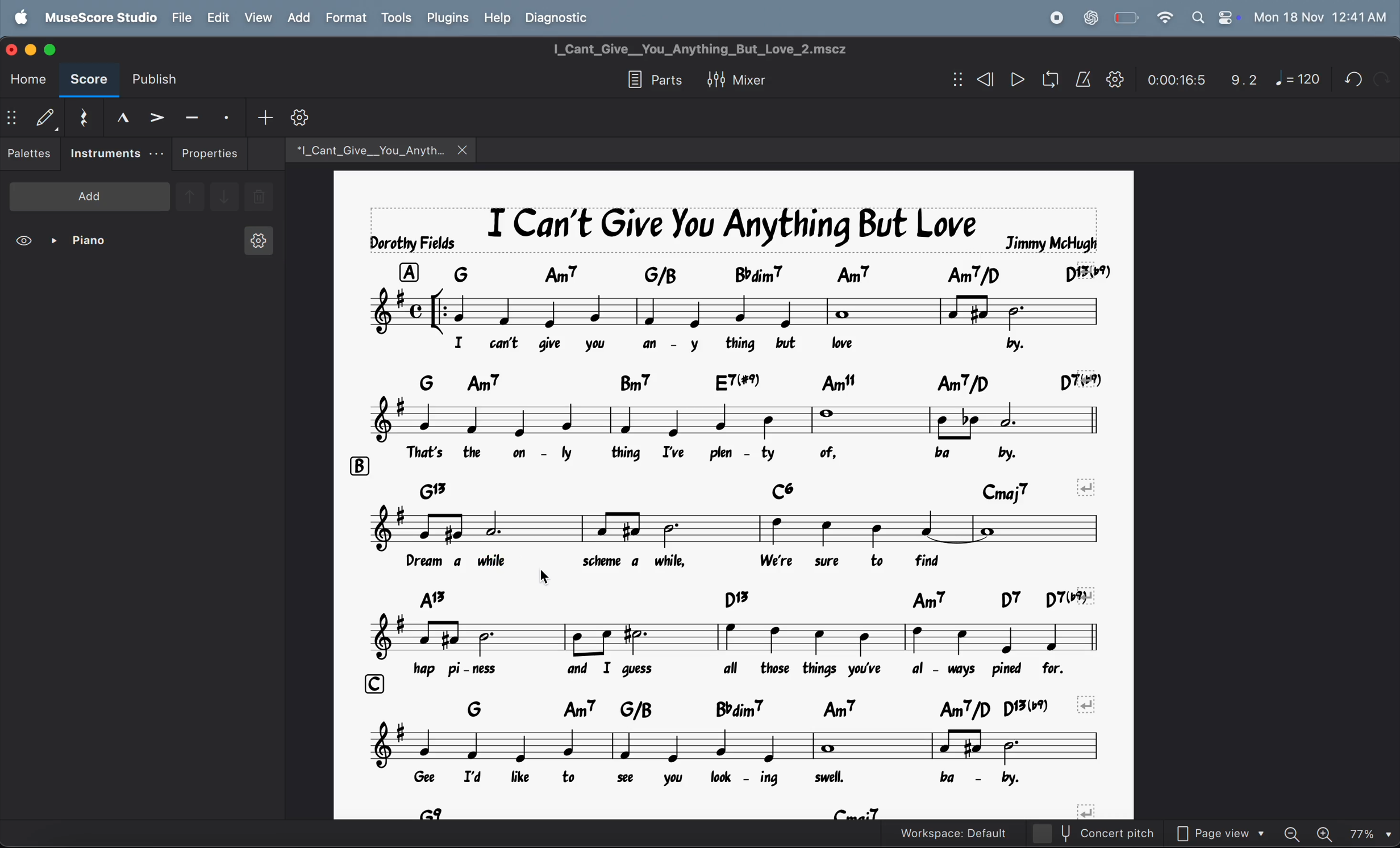 The image size is (1400, 848). I want to click on set zoom- 77%, so click(1372, 833).